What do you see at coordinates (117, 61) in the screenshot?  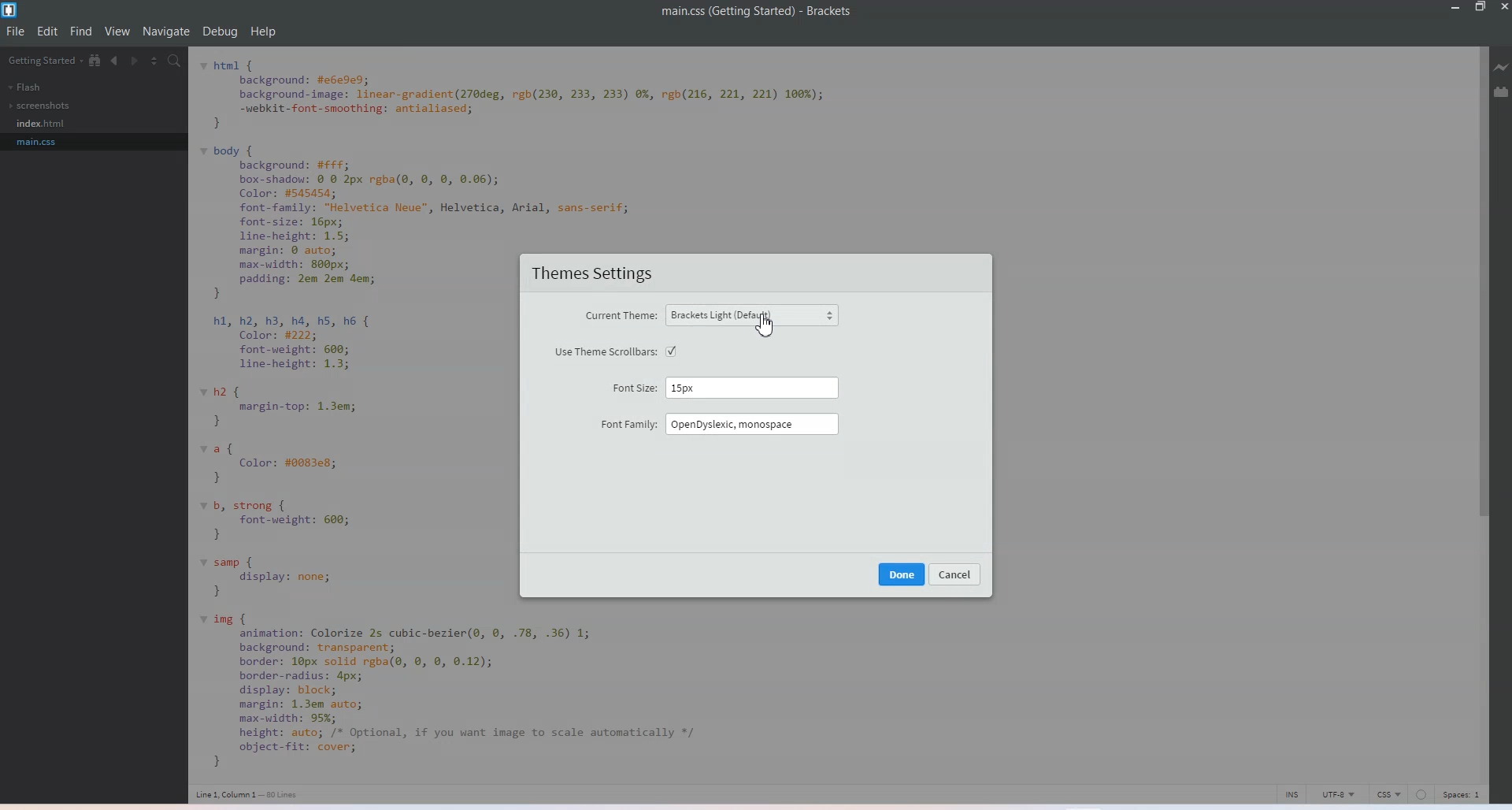 I see `Navigate Backwards` at bounding box center [117, 61].